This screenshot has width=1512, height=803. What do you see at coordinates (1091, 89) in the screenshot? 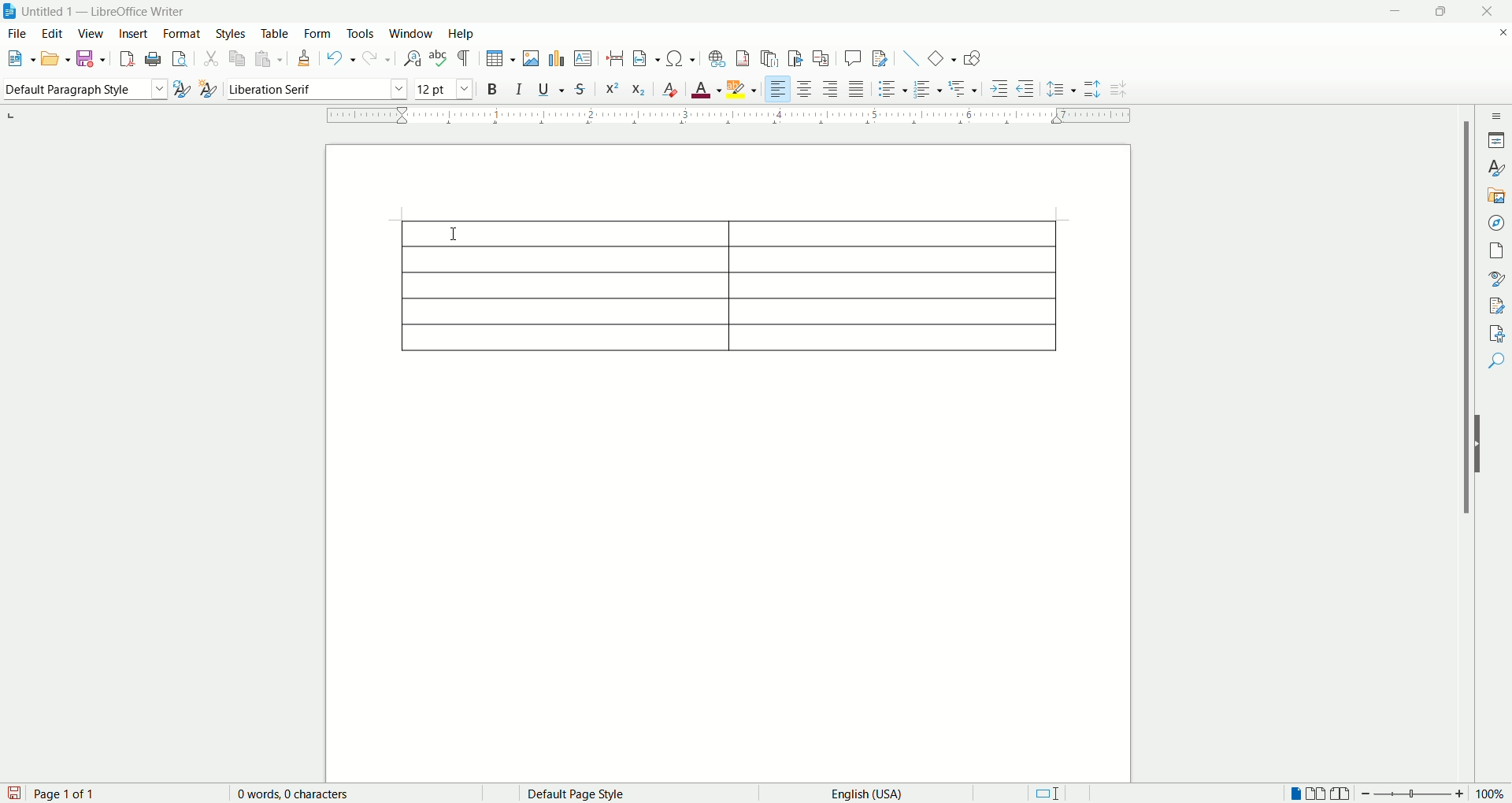
I see `increase paragraph spacing` at bounding box center [1091, 89].